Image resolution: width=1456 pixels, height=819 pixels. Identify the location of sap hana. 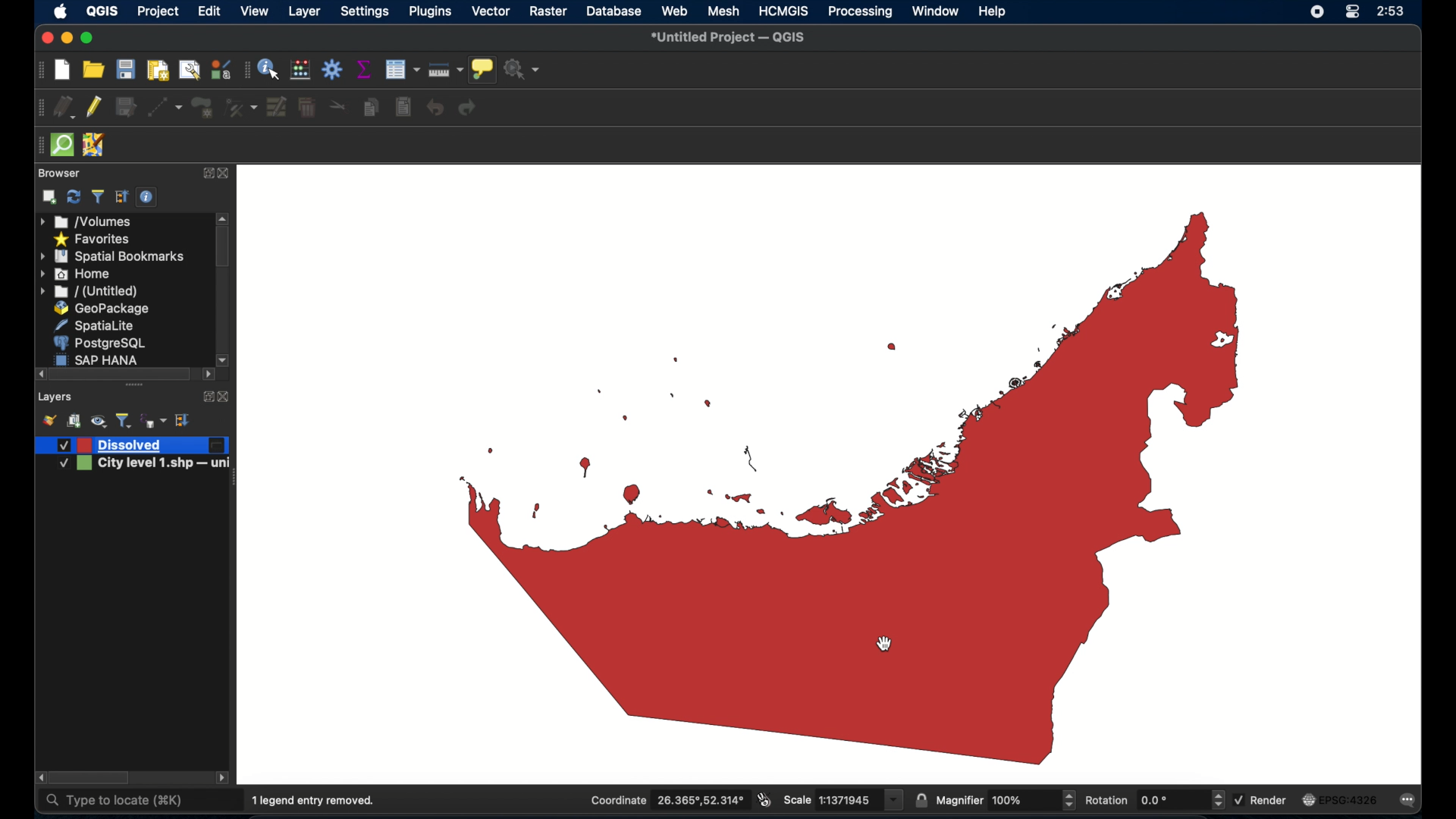
(100, 359).